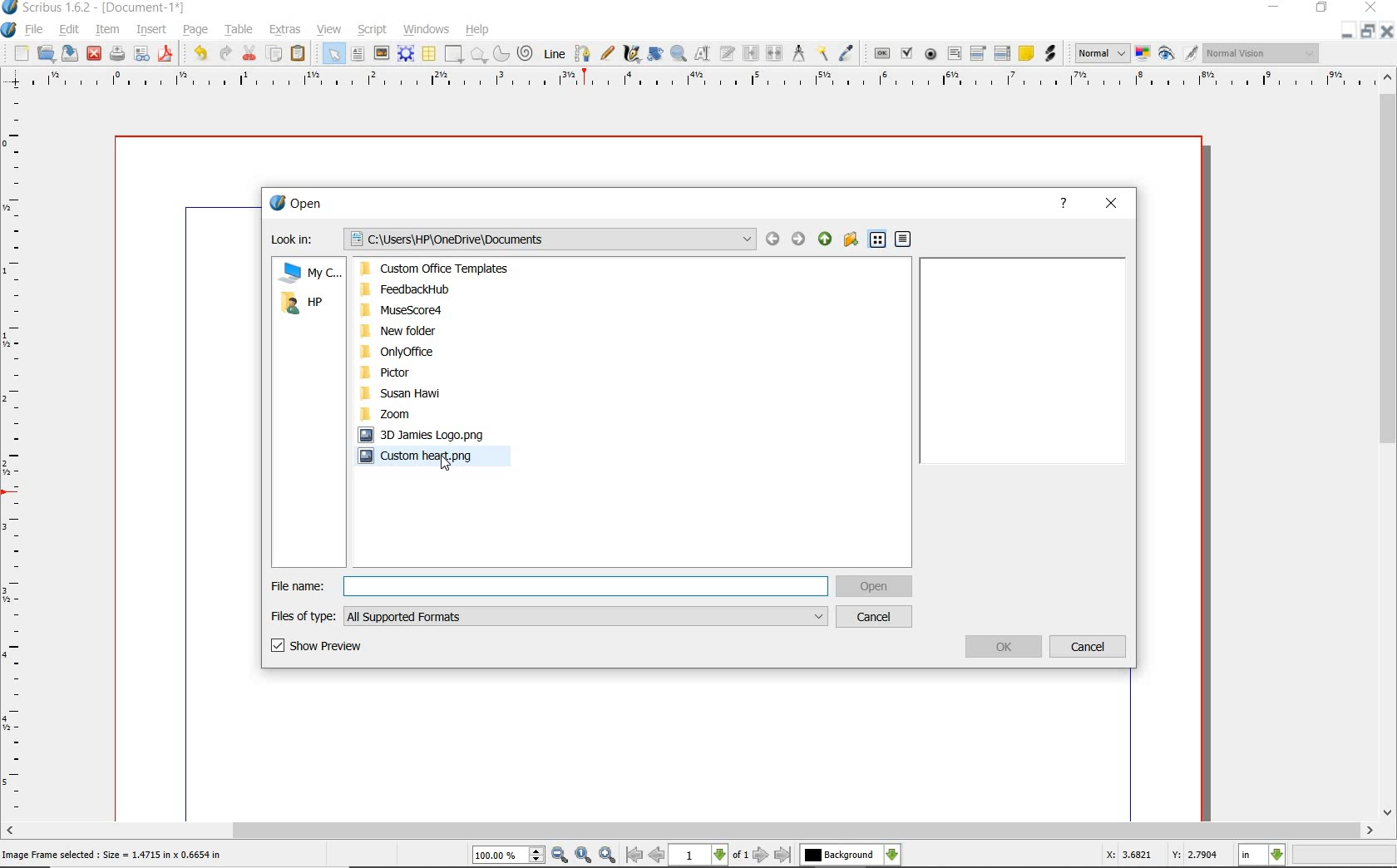  Describe the element at coordinates (346, 648) in the screenshot. I see `show preview` at that location.